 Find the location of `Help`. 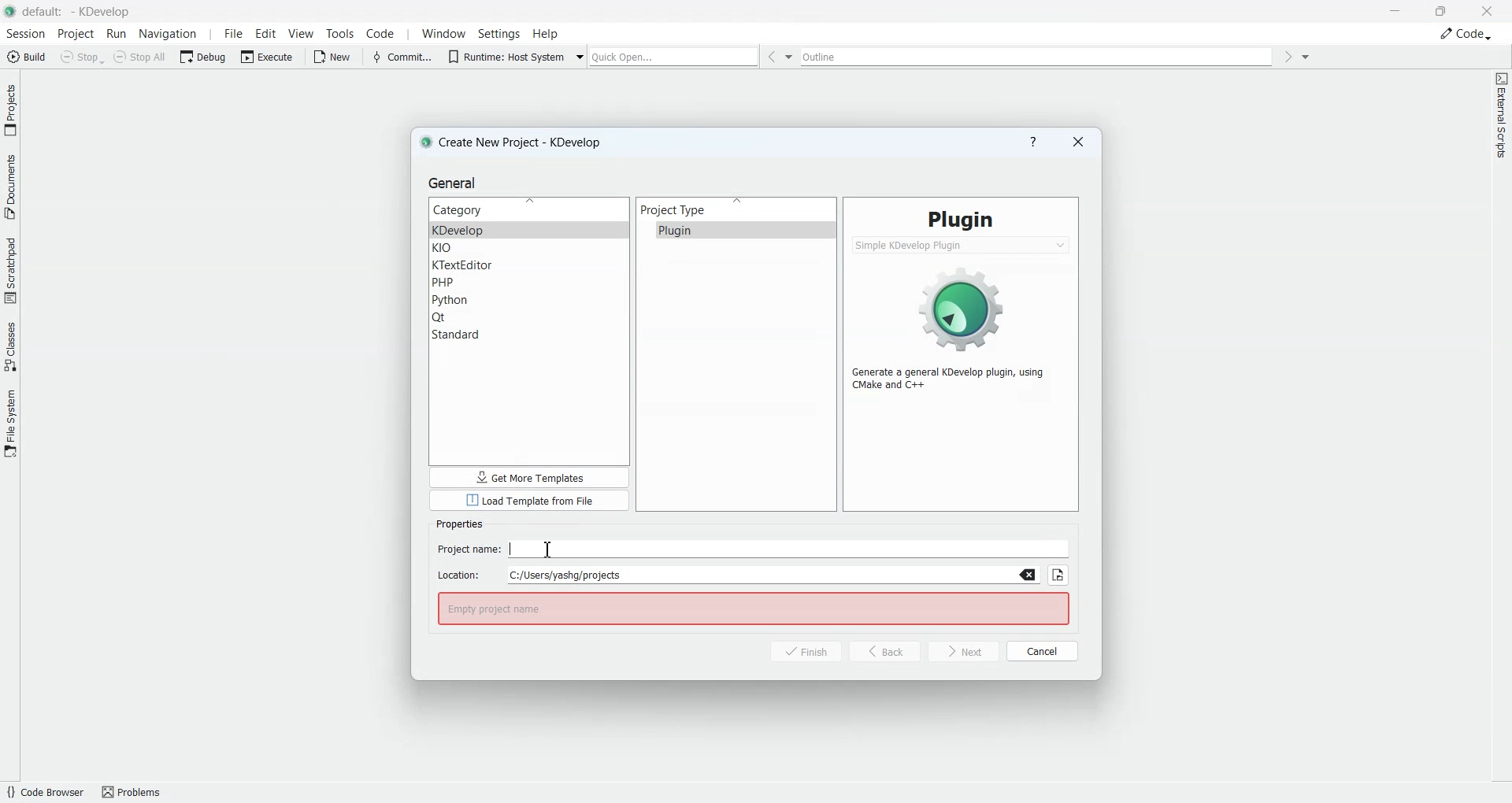

Help is located at coordinates (1033, 142).